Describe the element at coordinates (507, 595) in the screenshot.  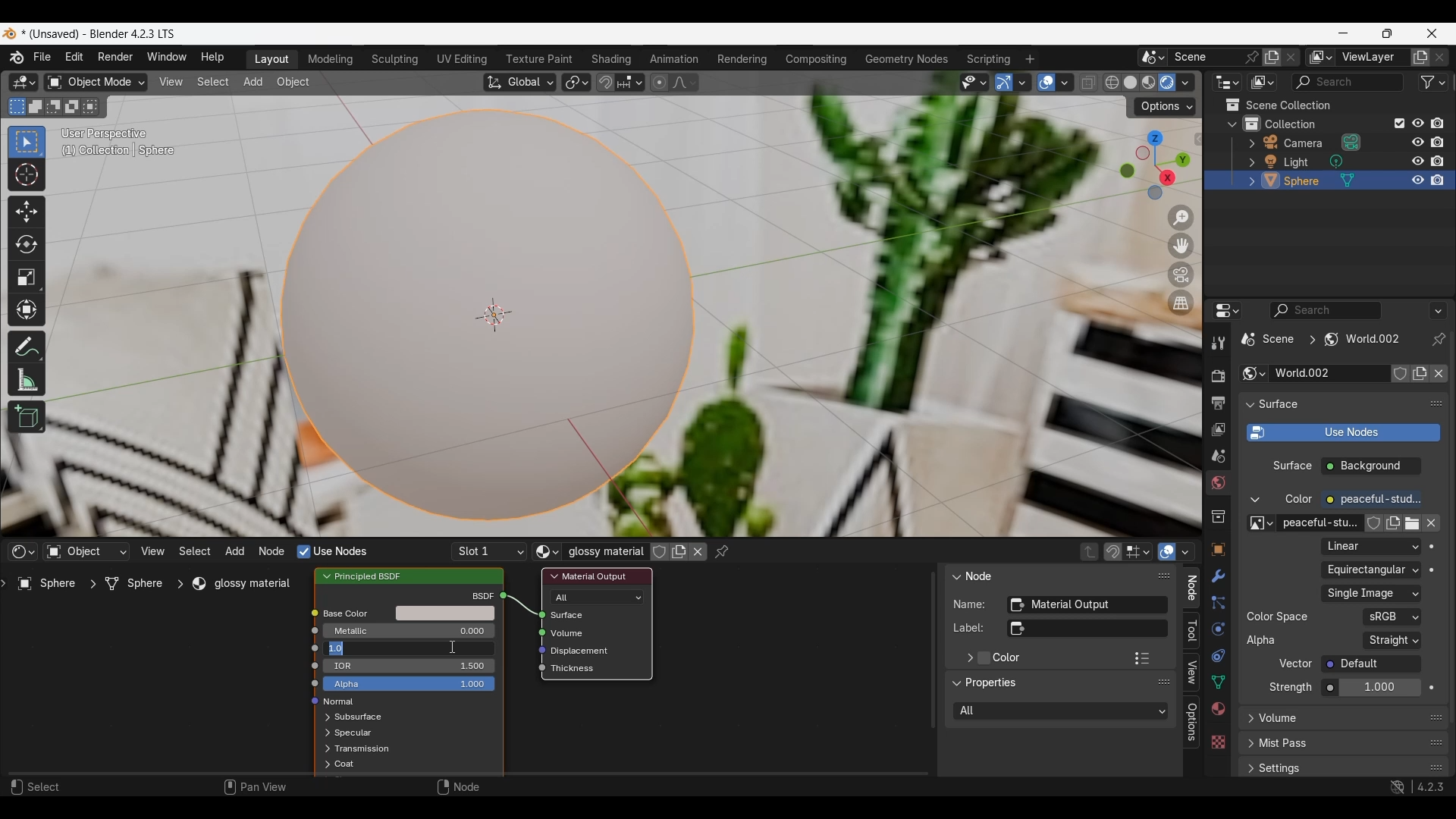
I see `icon` at that location.